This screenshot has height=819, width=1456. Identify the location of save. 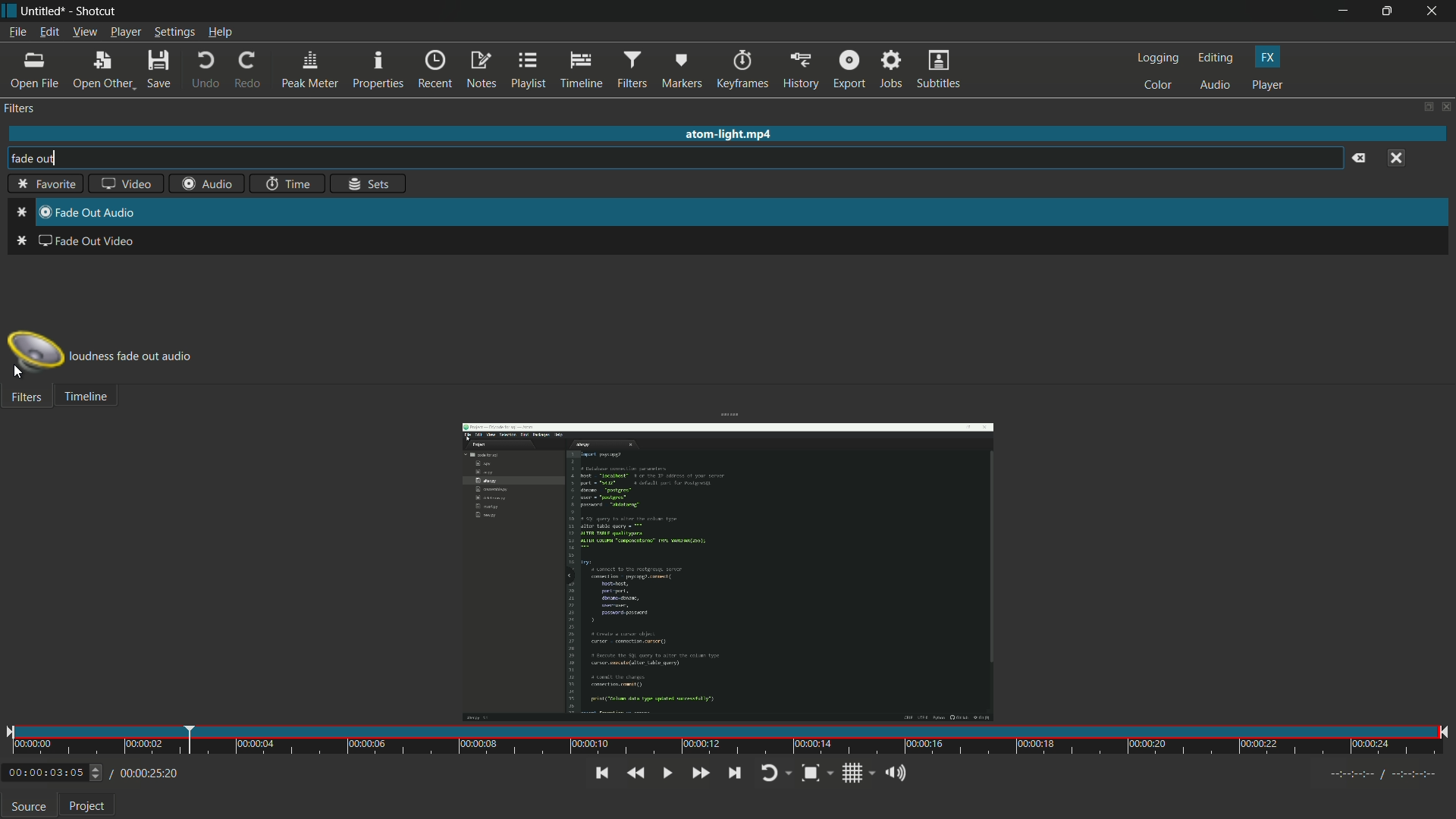
(160, 70).